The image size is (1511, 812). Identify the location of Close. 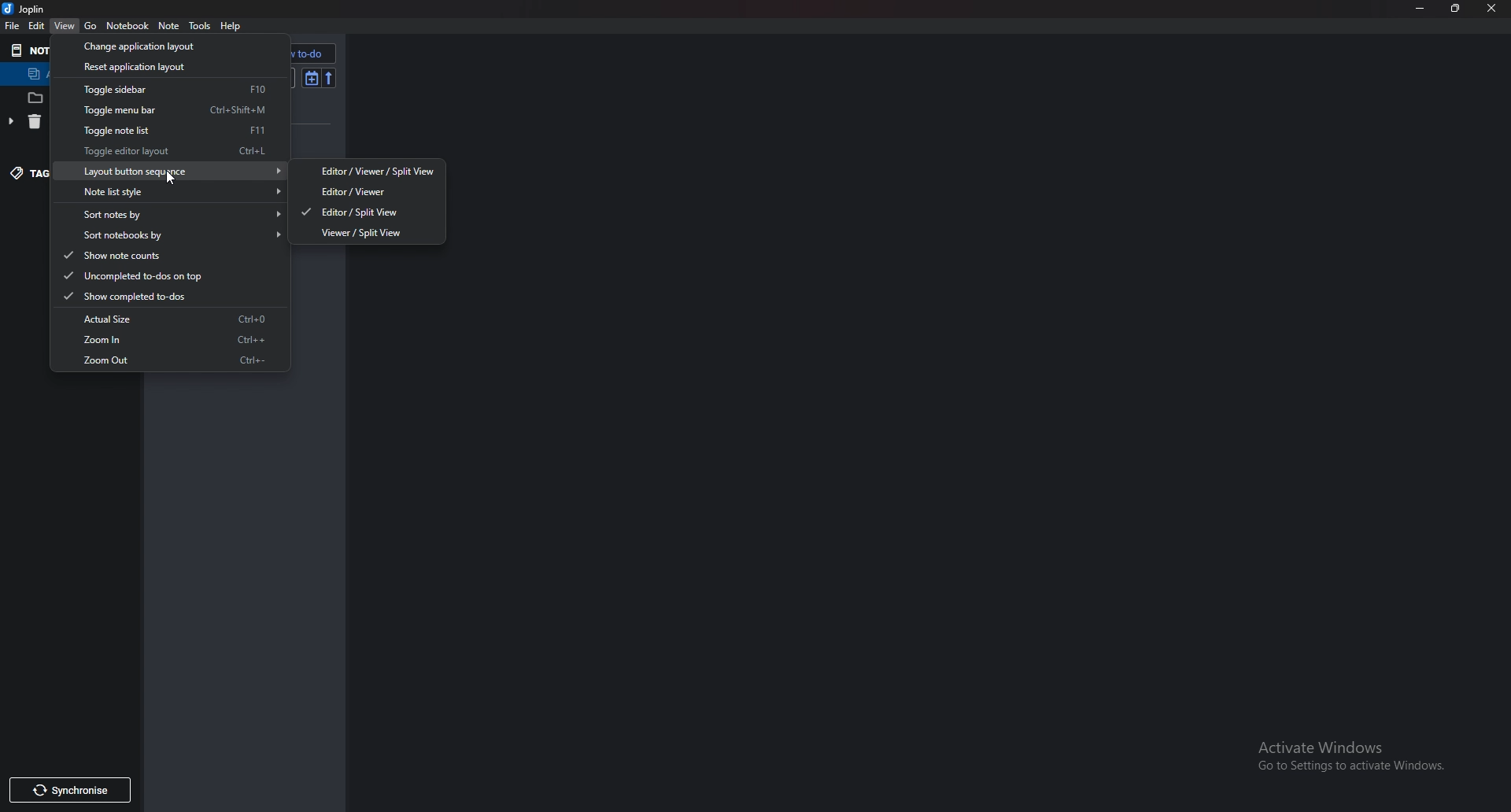
(1494, 8).